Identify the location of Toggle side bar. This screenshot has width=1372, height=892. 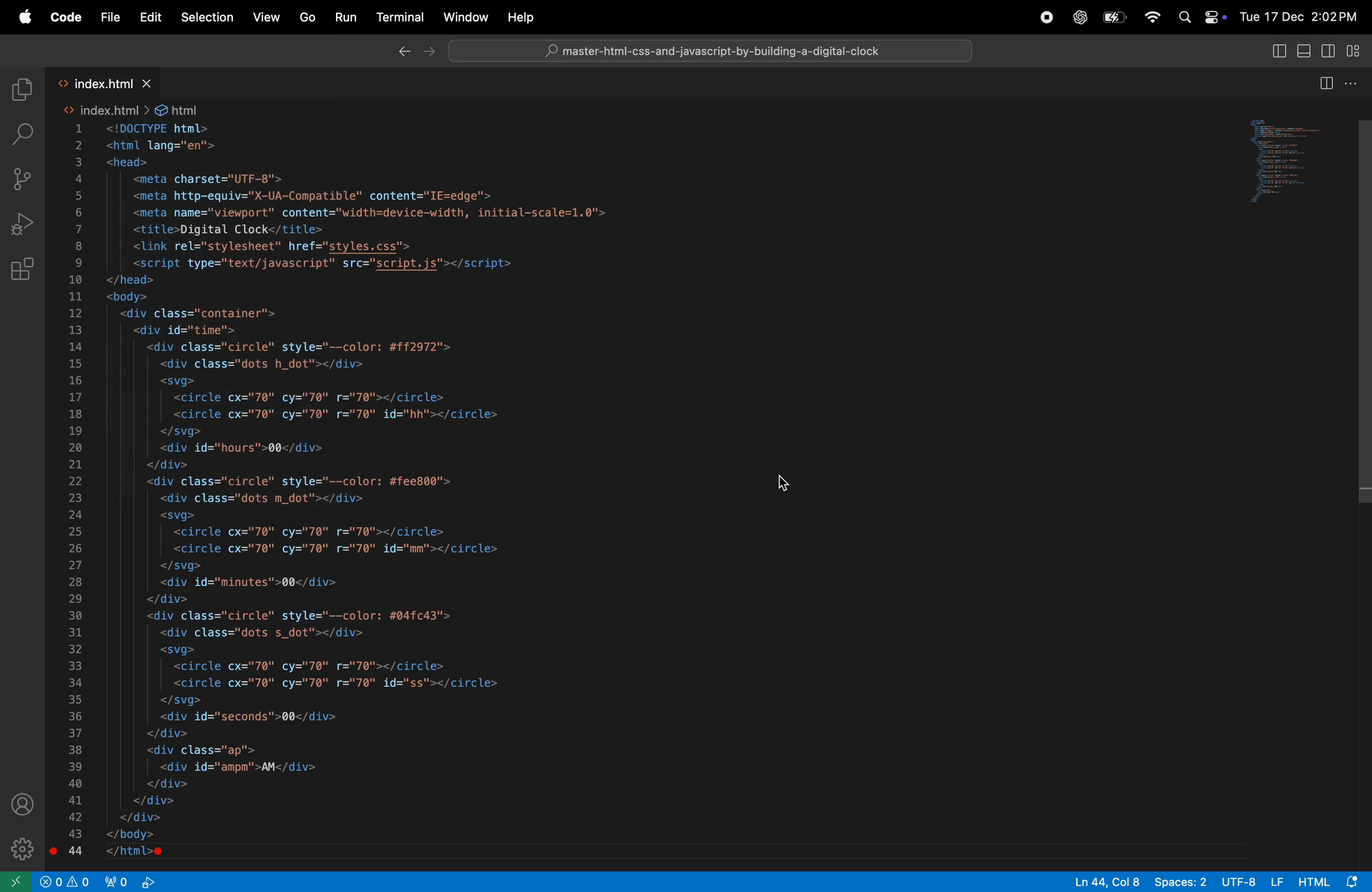
(1275, 52).